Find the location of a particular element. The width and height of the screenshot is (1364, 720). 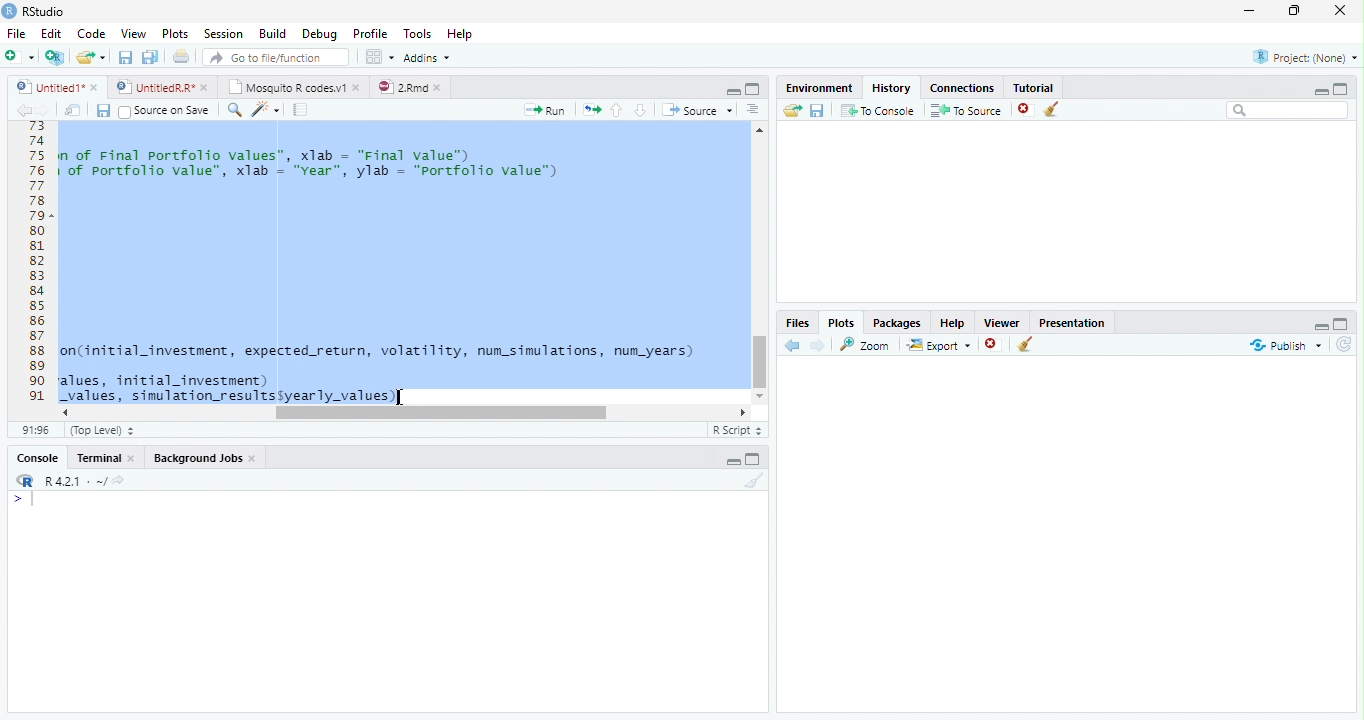

Save is located at coordinates (817, 110).